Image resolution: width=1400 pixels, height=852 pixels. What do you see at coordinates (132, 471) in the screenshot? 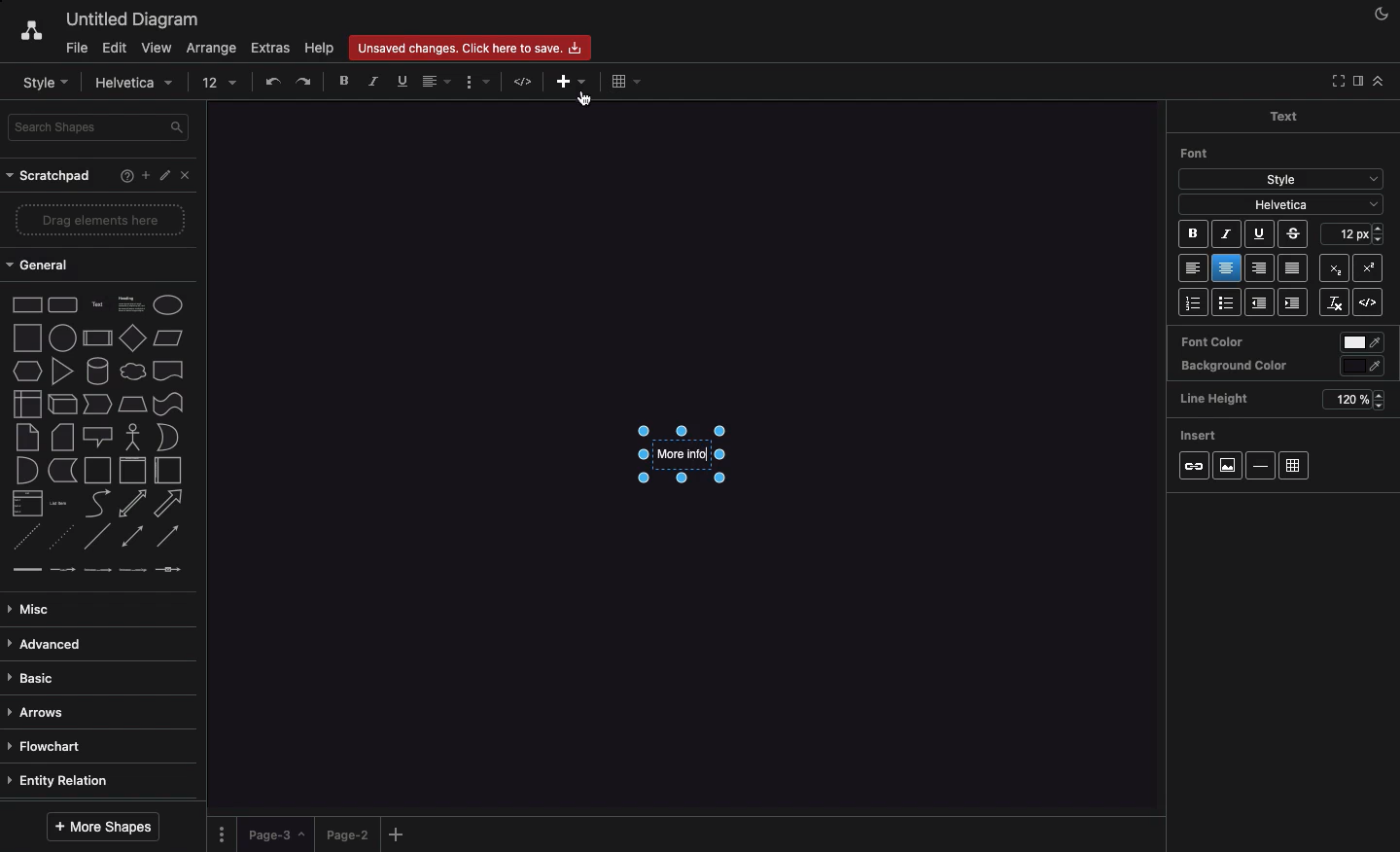
I see `vertical container` at bounding box center [132, 471].